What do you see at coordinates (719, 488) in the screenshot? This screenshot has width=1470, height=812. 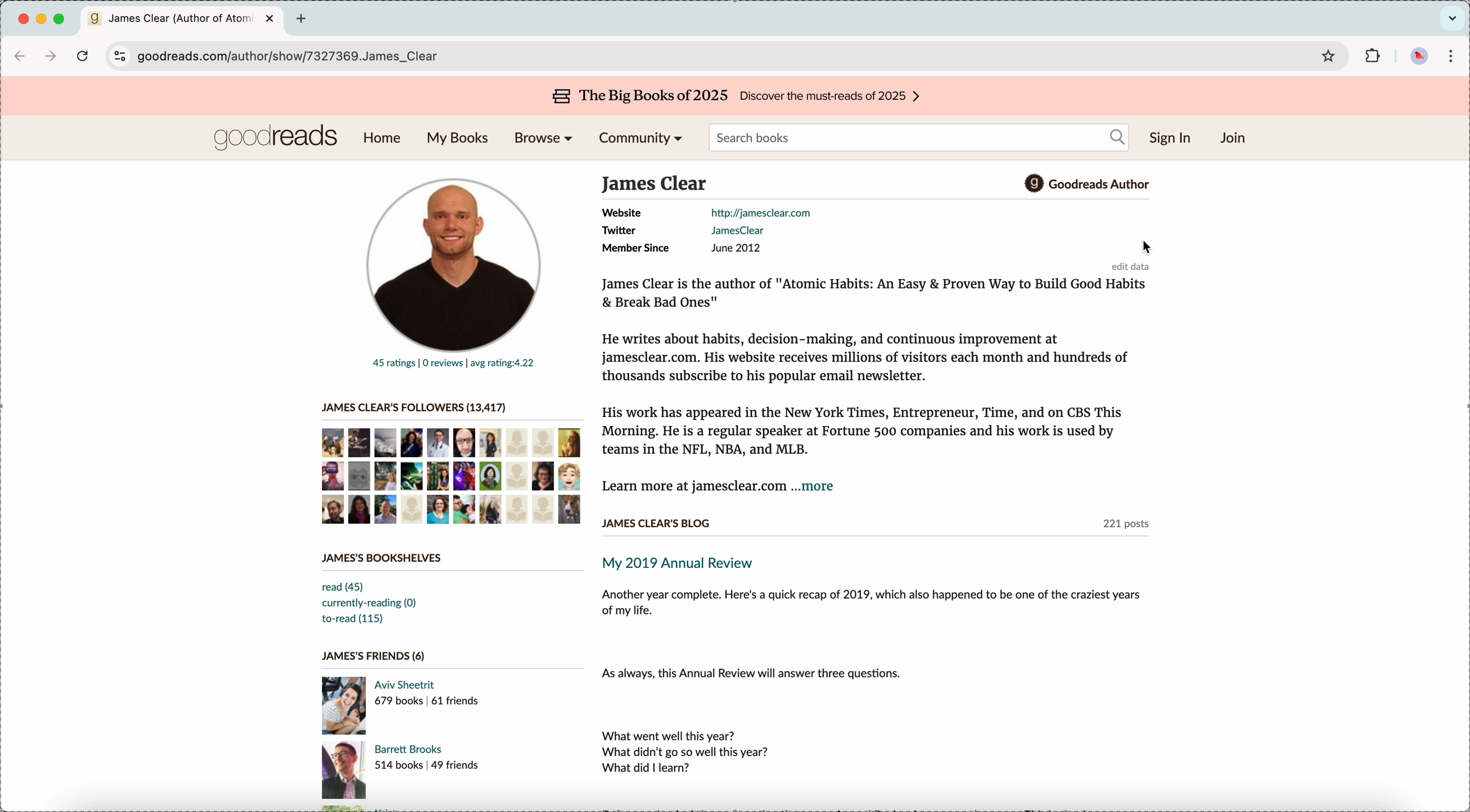 I see `learn more at jamesclear.com ...more` at bounding box center [719, 488].